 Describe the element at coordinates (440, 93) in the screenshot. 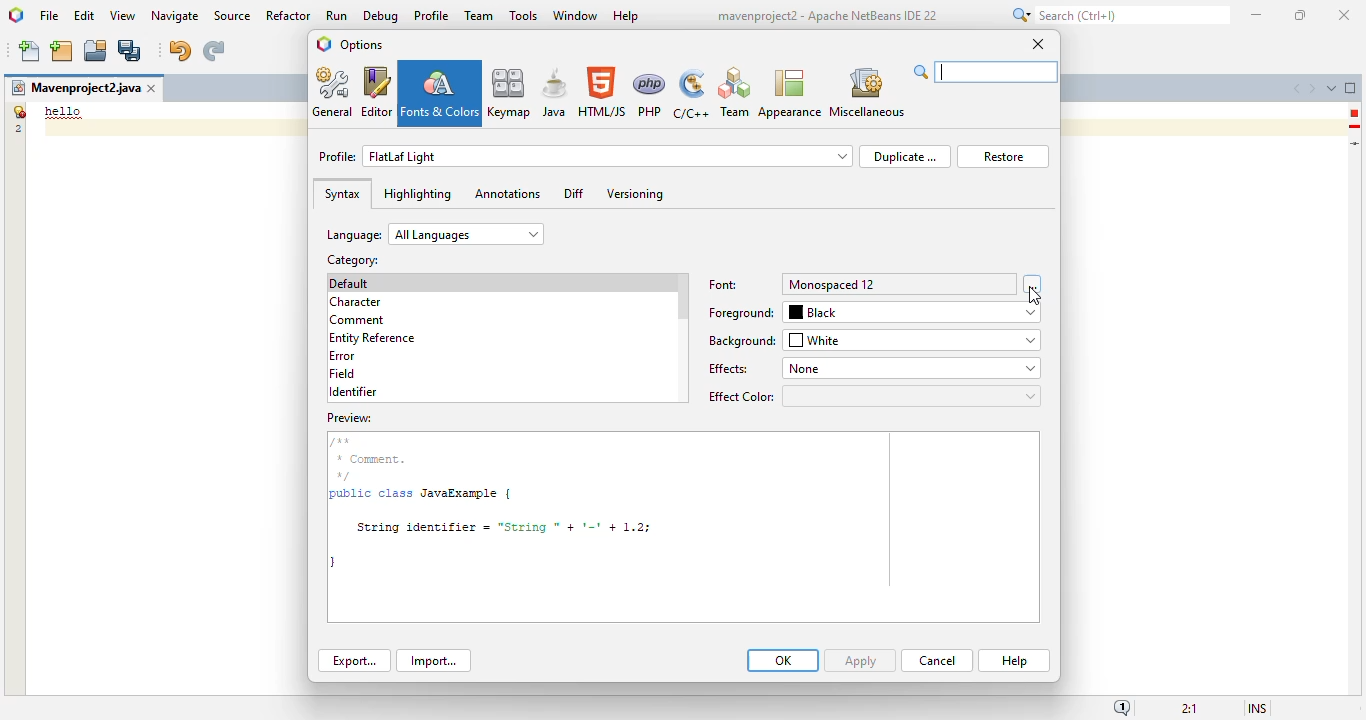

I see `fonts & colors` at that location.